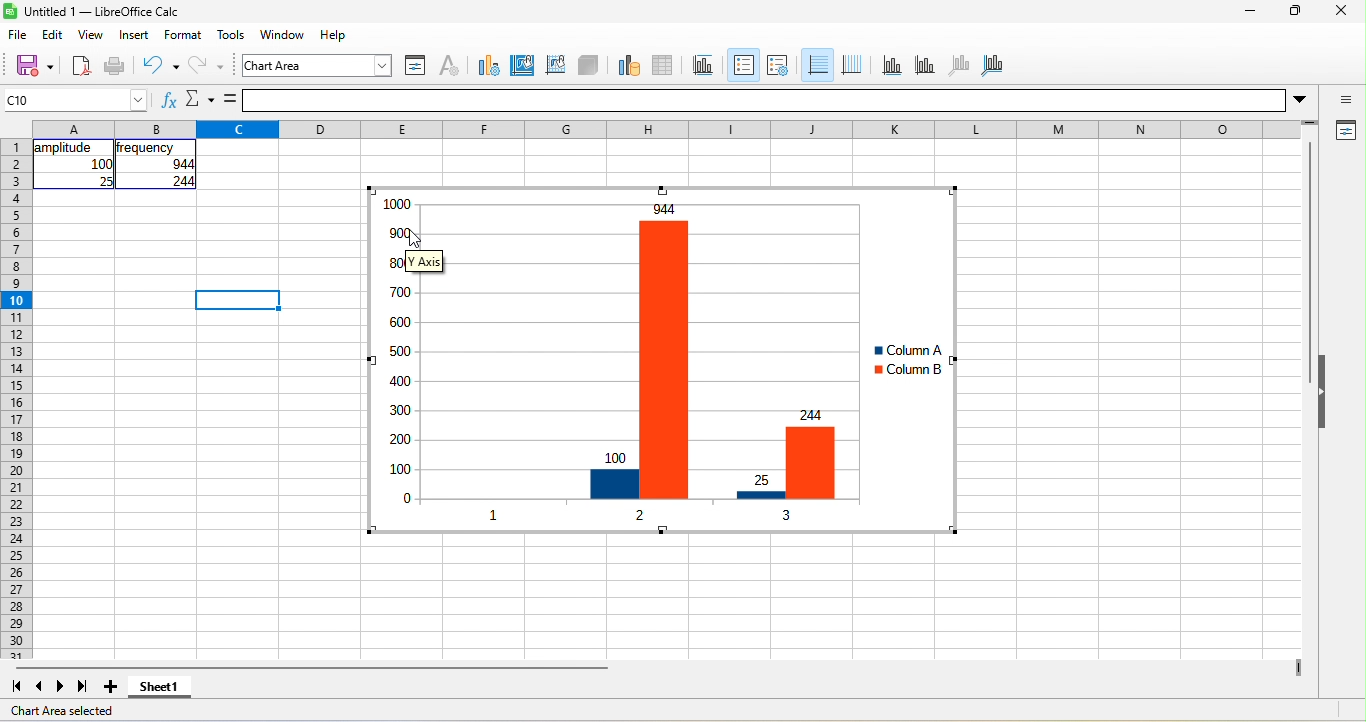 The image size is (1366, 722). What do you see at coordinates (890, 65) in the screenshot?
I see `x axis` at bounding box center [890, 65].